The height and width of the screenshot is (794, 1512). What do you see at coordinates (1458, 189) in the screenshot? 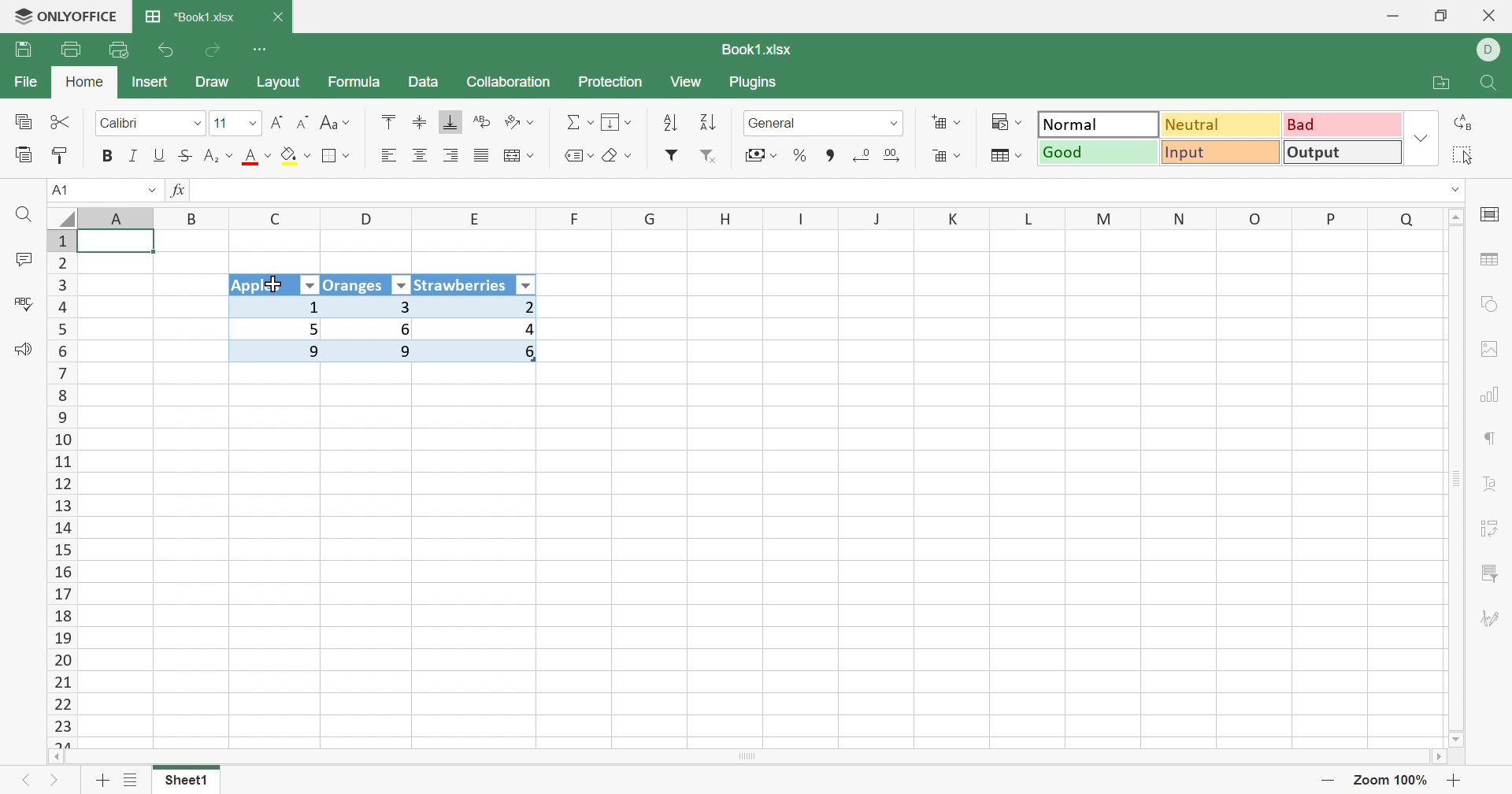
I see `Drop Down` at bounding box center [1458, 189].